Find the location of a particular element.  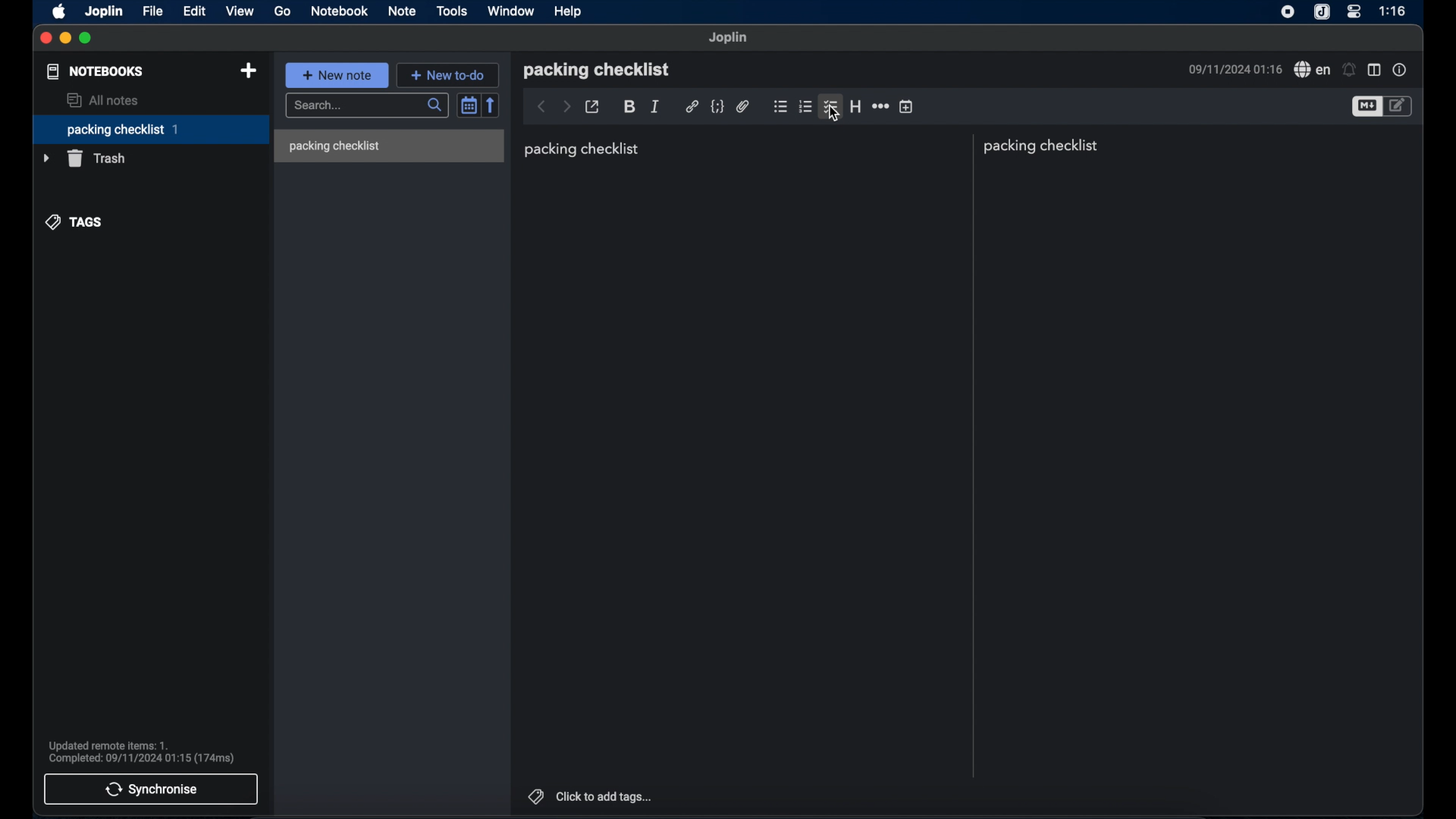

control center is located at coordinates (1355, 11).